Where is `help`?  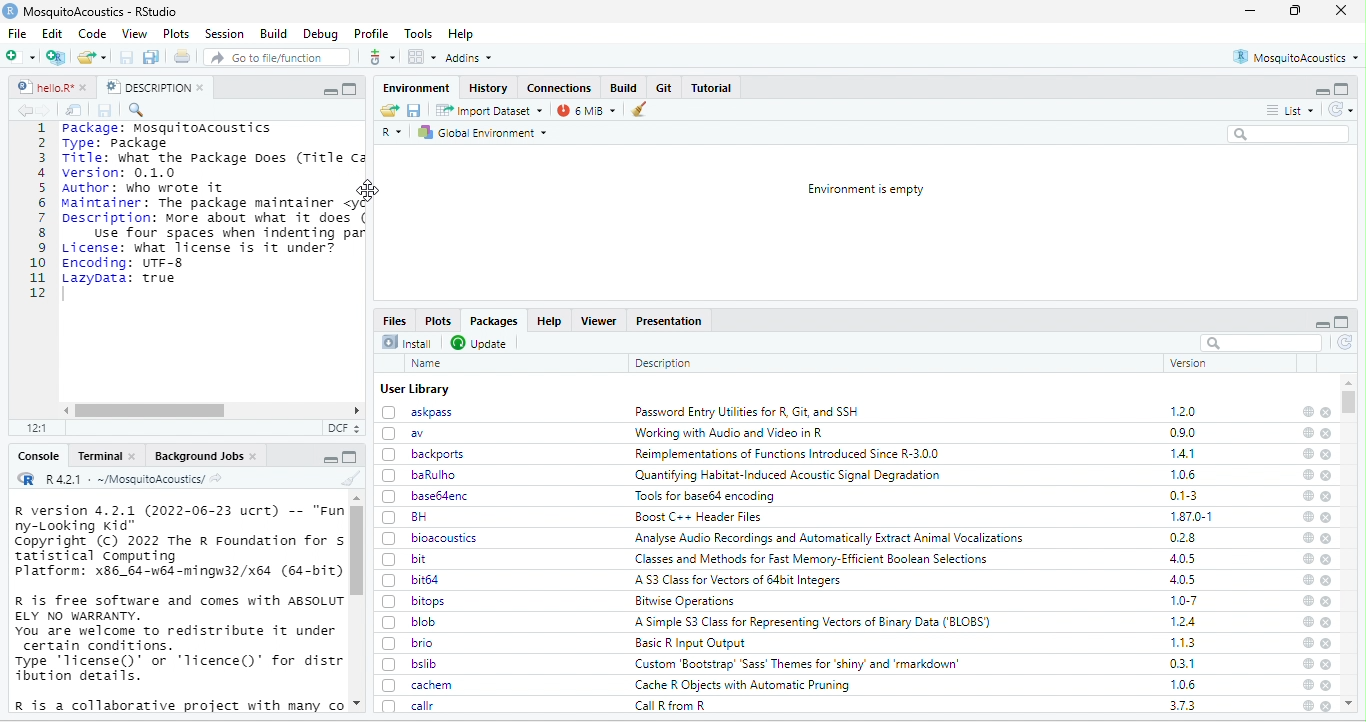
help is located at coordinates (1306, 517).